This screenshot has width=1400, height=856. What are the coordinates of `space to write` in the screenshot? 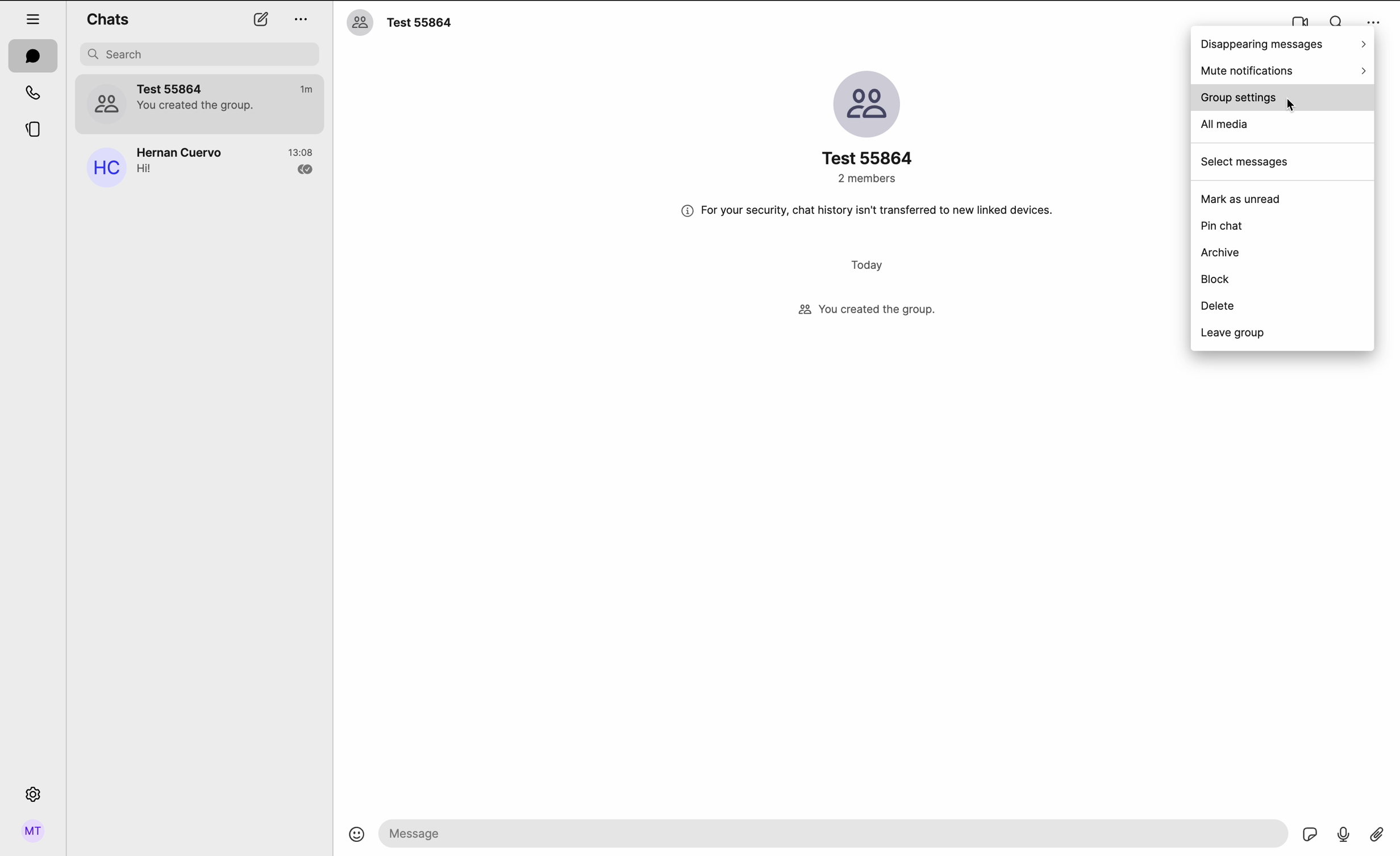 It's located at (834, 834).